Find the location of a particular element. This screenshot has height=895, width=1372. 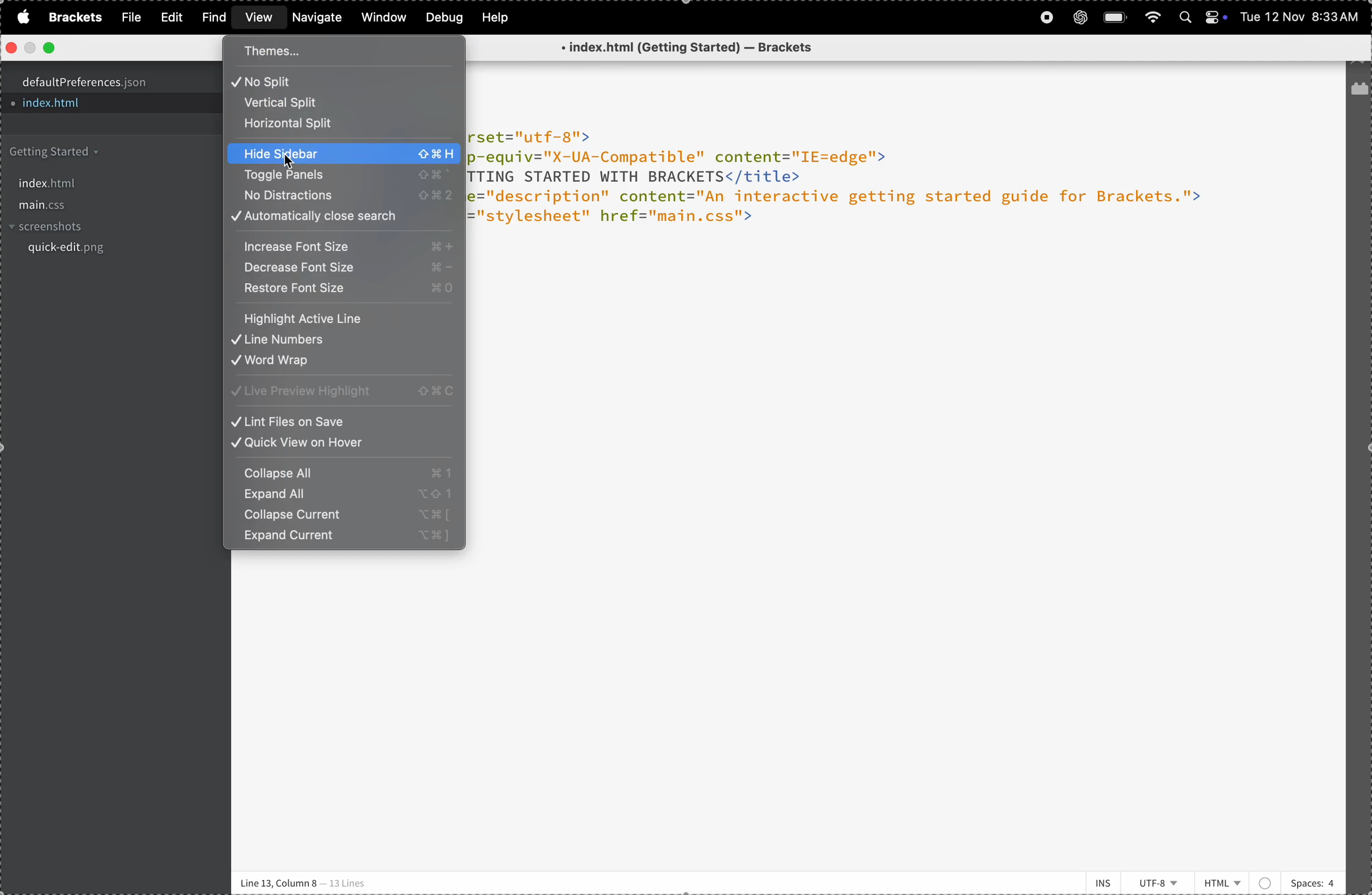

cursor is located at coordinates (290, 165).